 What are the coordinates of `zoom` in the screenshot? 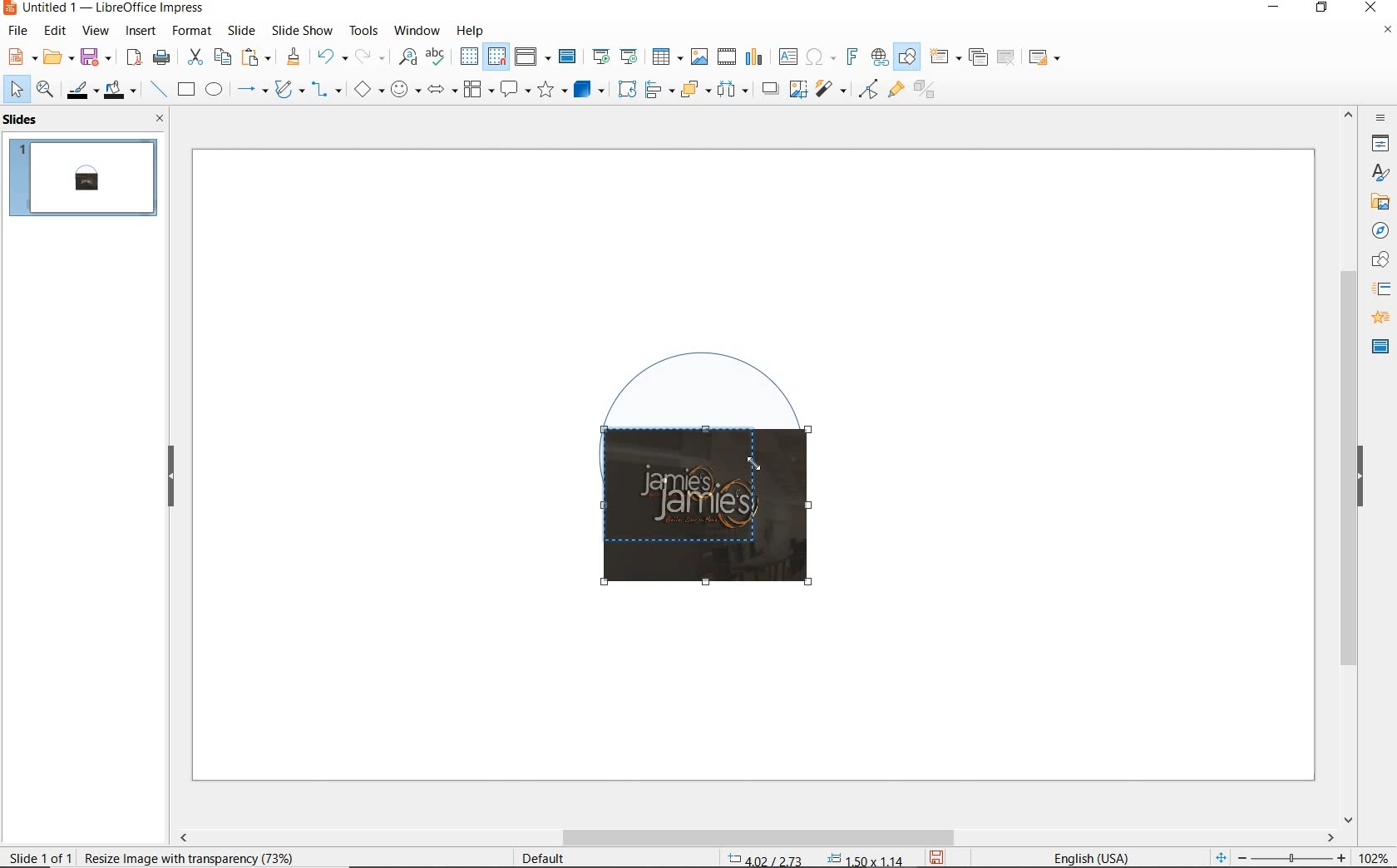 It's located at (1296, 858).